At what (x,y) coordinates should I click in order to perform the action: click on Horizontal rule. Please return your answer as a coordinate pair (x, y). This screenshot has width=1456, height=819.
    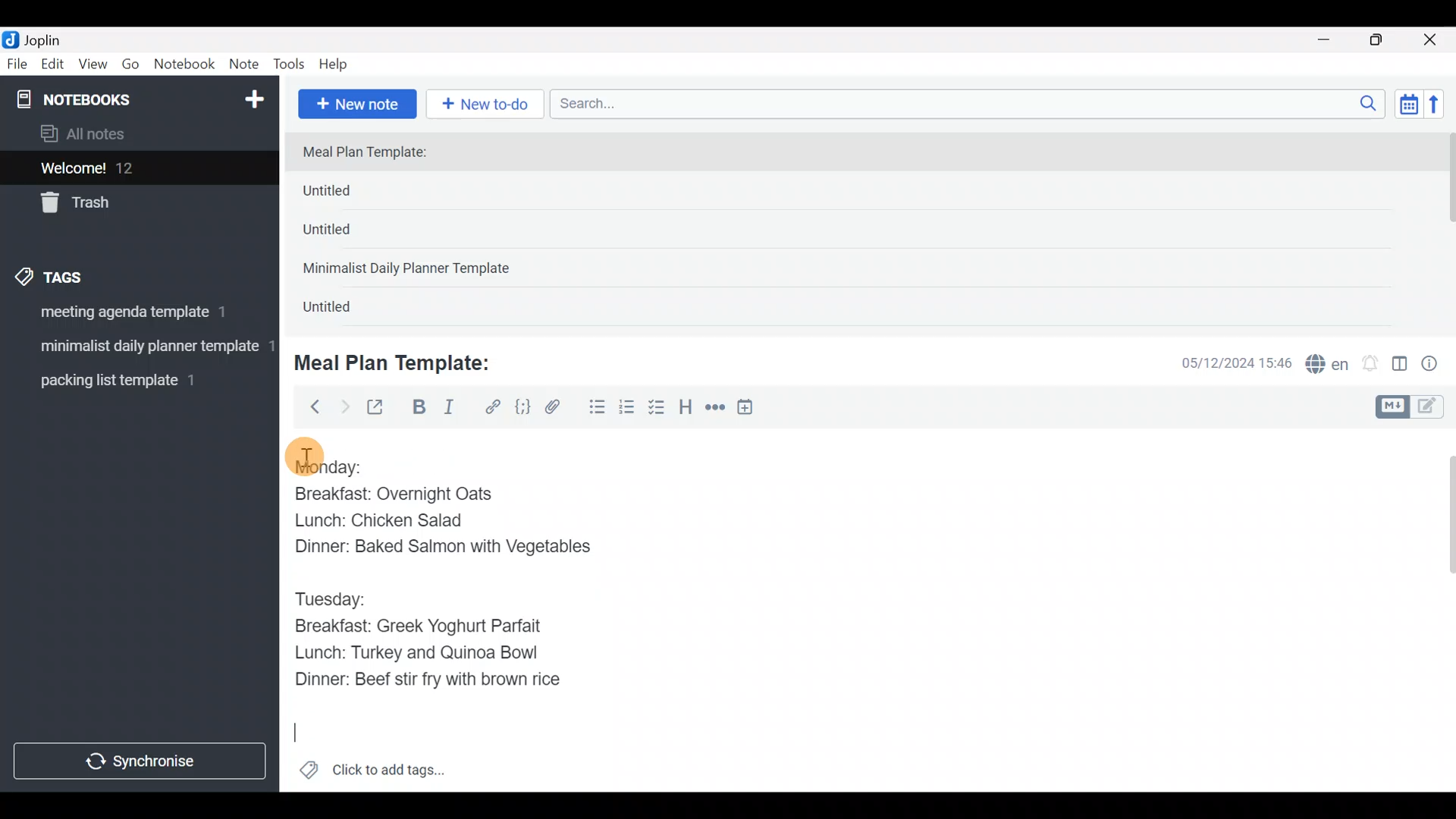
    Looking at the image, I should click on (715, 409).